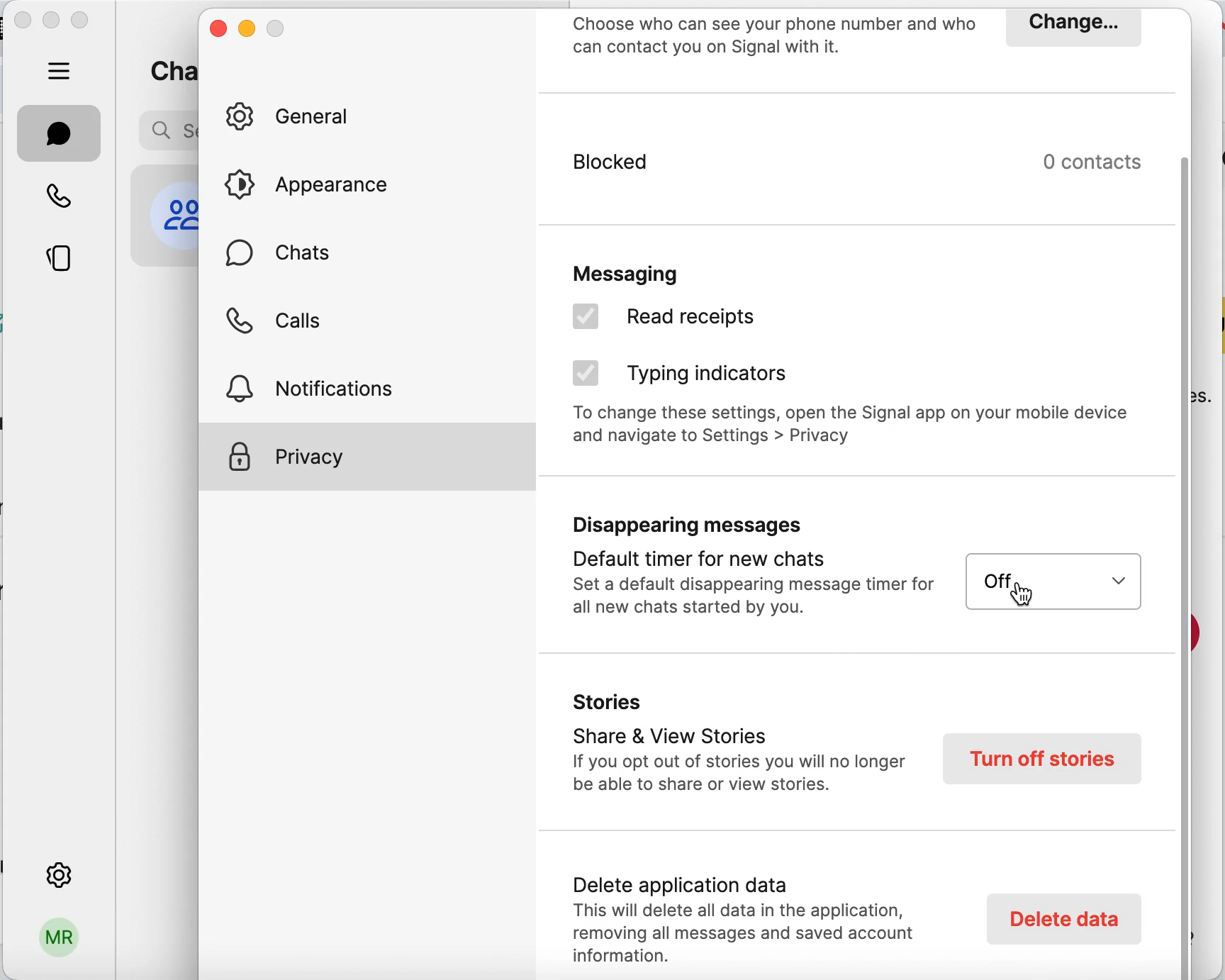 Image resolution: width=1225 pixels, height=980 pixels. What do you see at coordinates (298, 118) in the screenshot?
I see `general` at bounding box center [298, 118].